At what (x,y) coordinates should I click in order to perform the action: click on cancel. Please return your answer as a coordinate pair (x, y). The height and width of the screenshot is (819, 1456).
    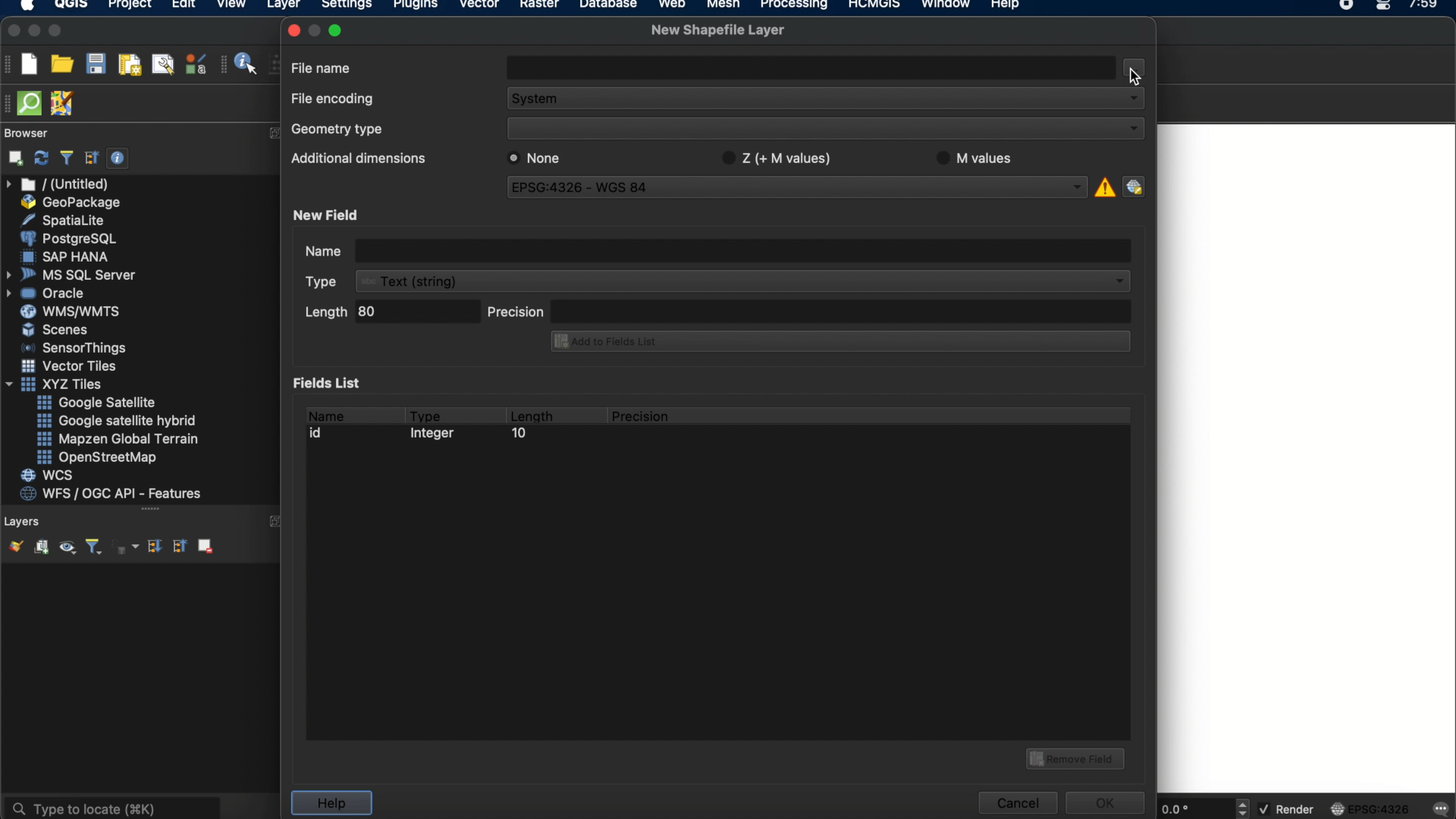
    Looking at the image, I should click on (1016, 803).